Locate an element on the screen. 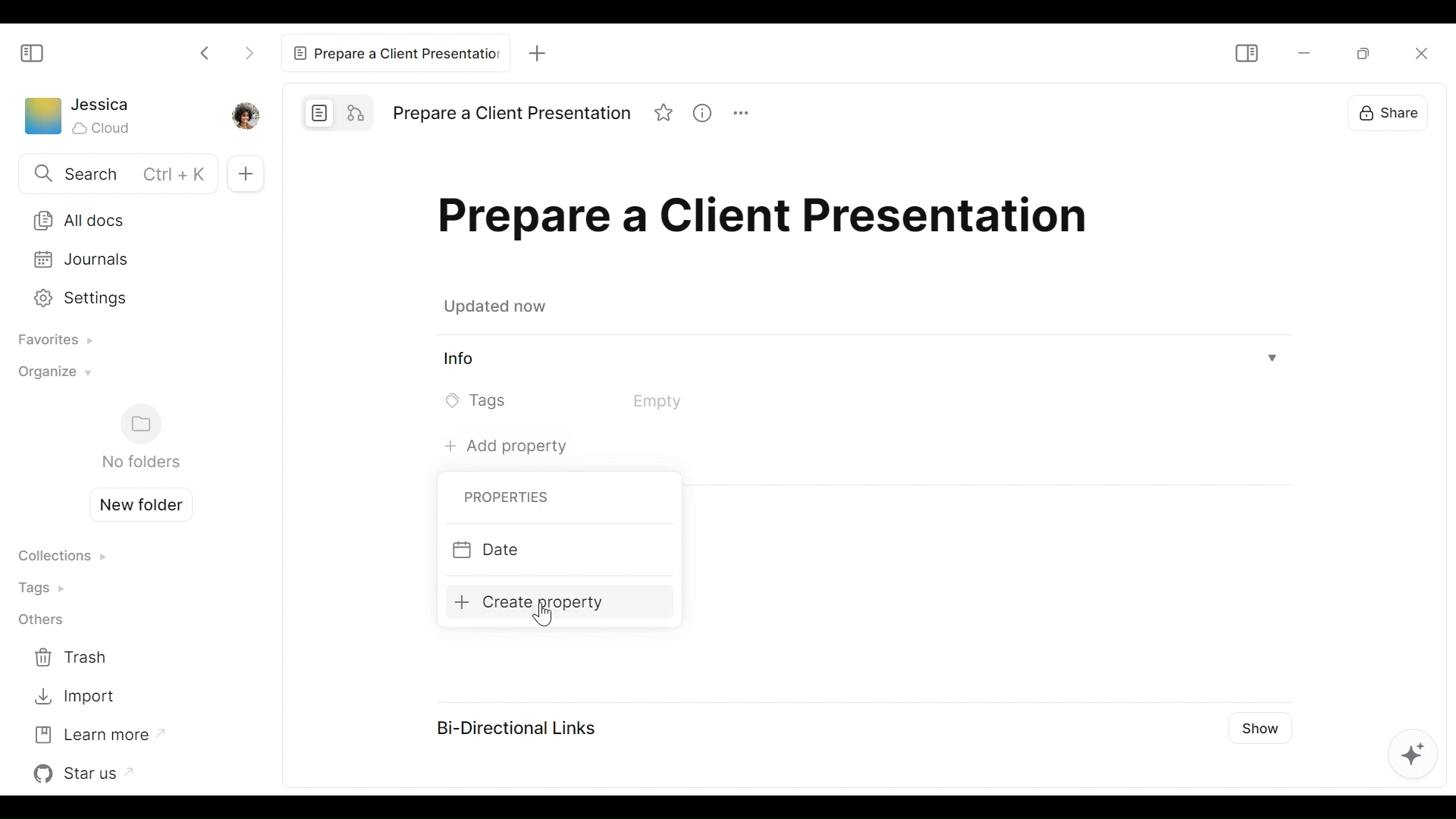  Username is located at coordinates (102, 105).